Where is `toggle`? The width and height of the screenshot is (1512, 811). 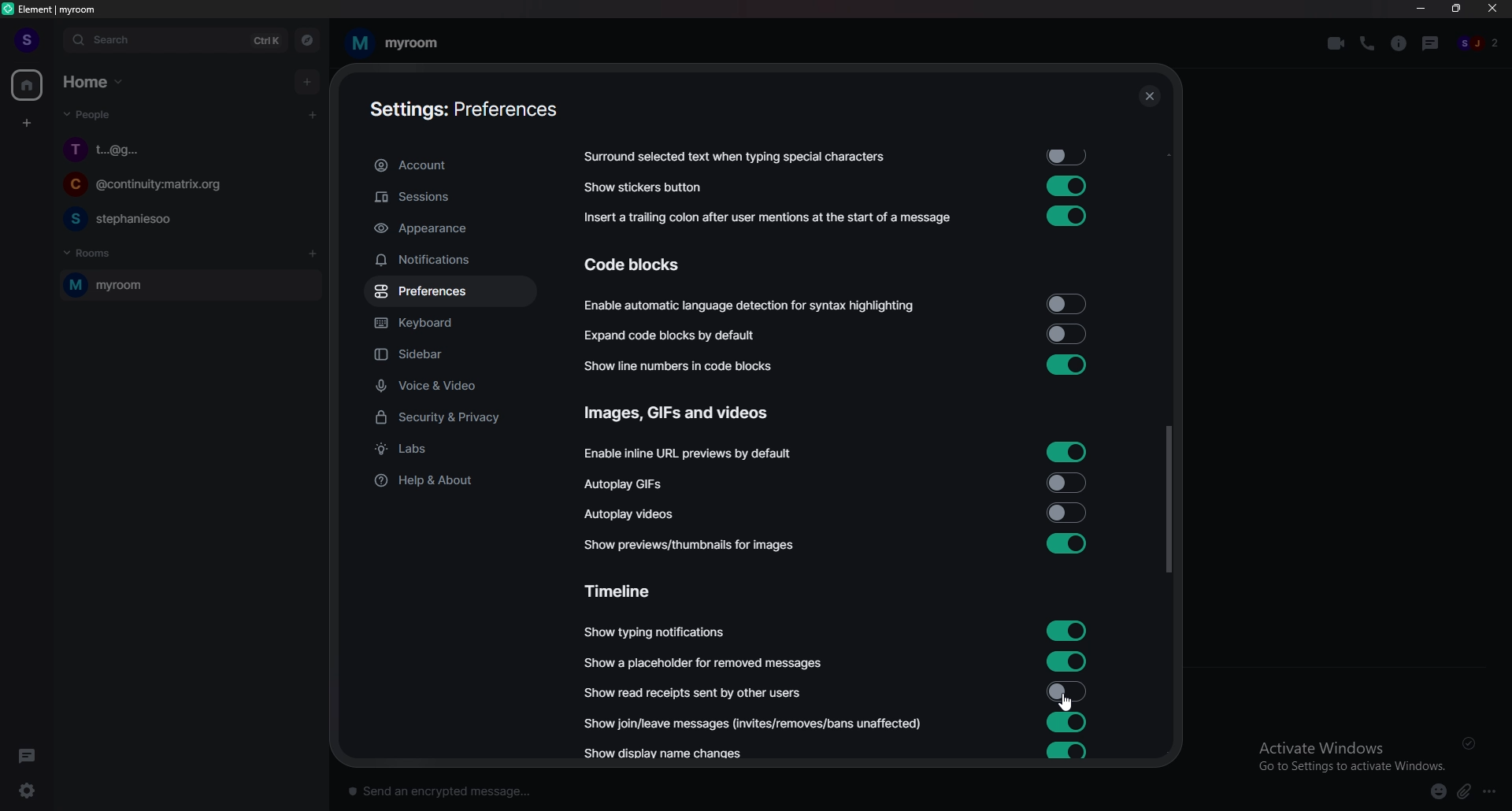
toggle is located at coordinates (1066, 544).